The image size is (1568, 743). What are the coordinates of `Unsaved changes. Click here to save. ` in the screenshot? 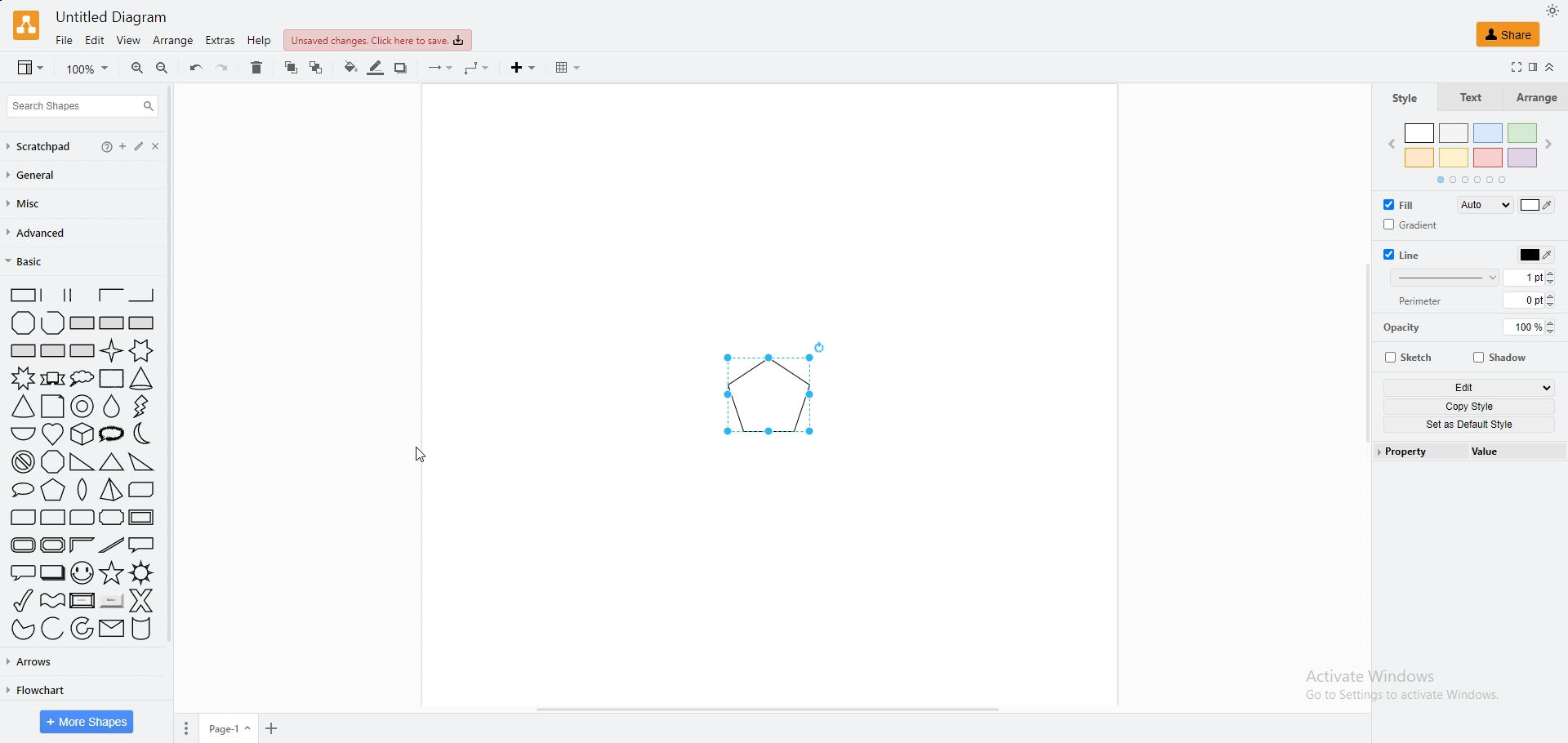 It's located at (376, 40).